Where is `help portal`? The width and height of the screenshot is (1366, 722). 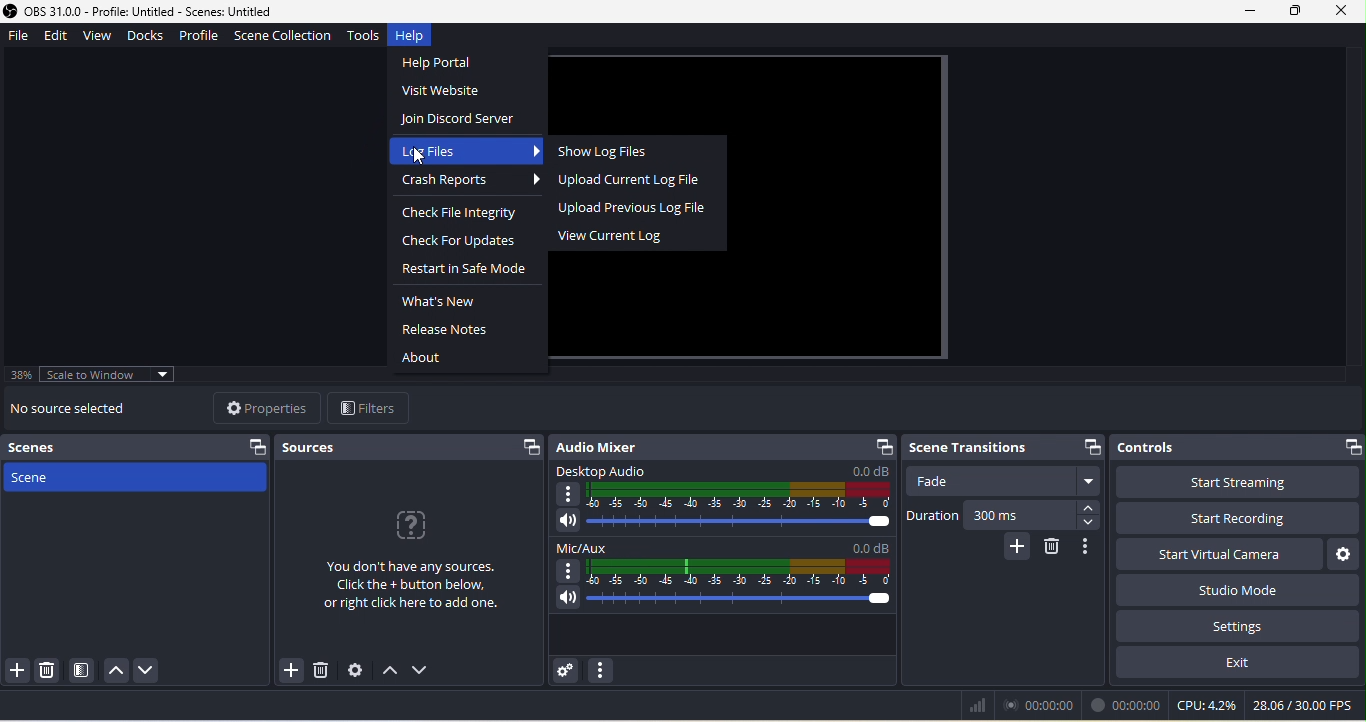
help portal is located at coordinates (448, 61).